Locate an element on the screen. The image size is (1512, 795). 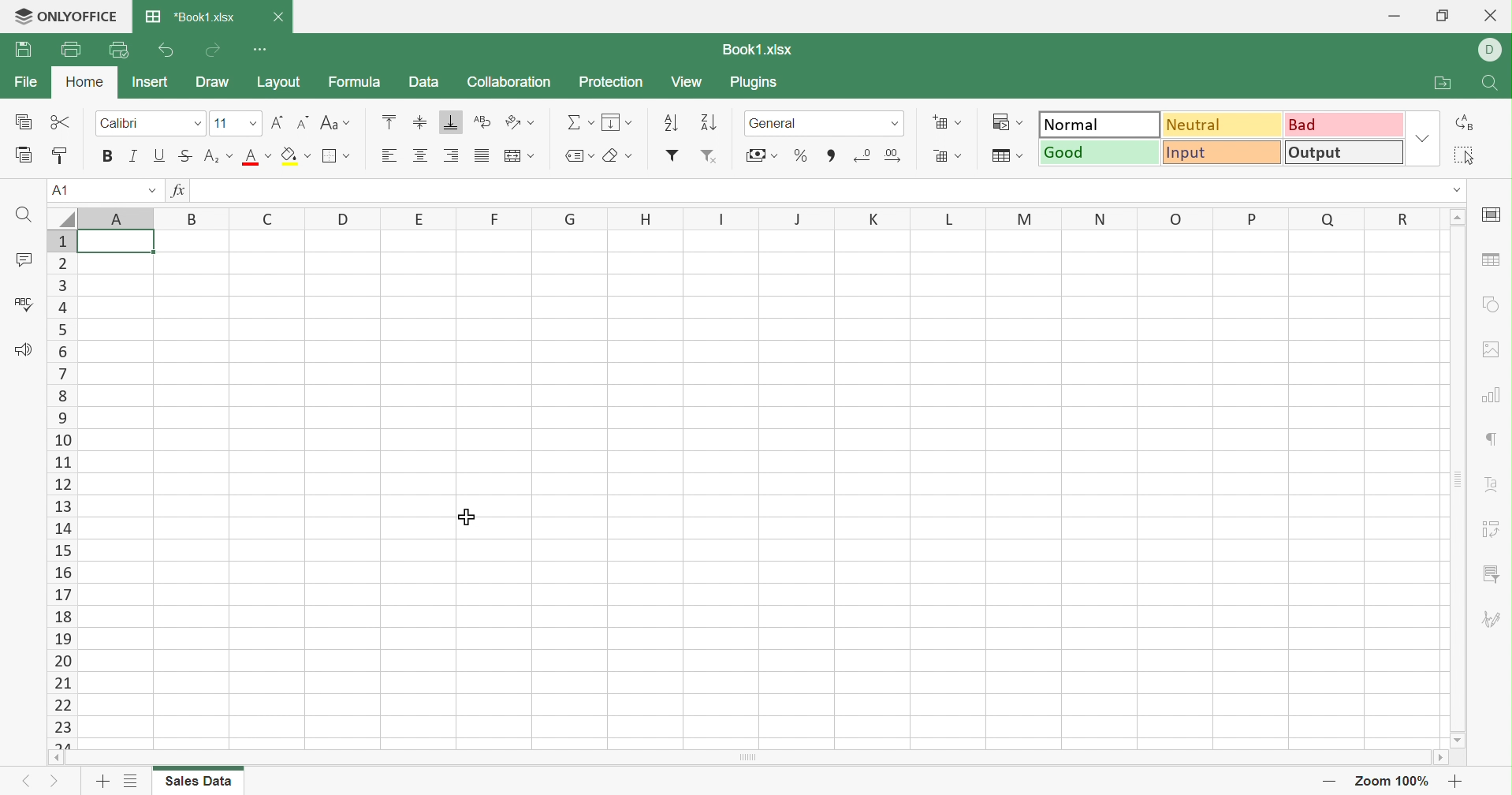
Font sizes is located at coordinates (251, 125).